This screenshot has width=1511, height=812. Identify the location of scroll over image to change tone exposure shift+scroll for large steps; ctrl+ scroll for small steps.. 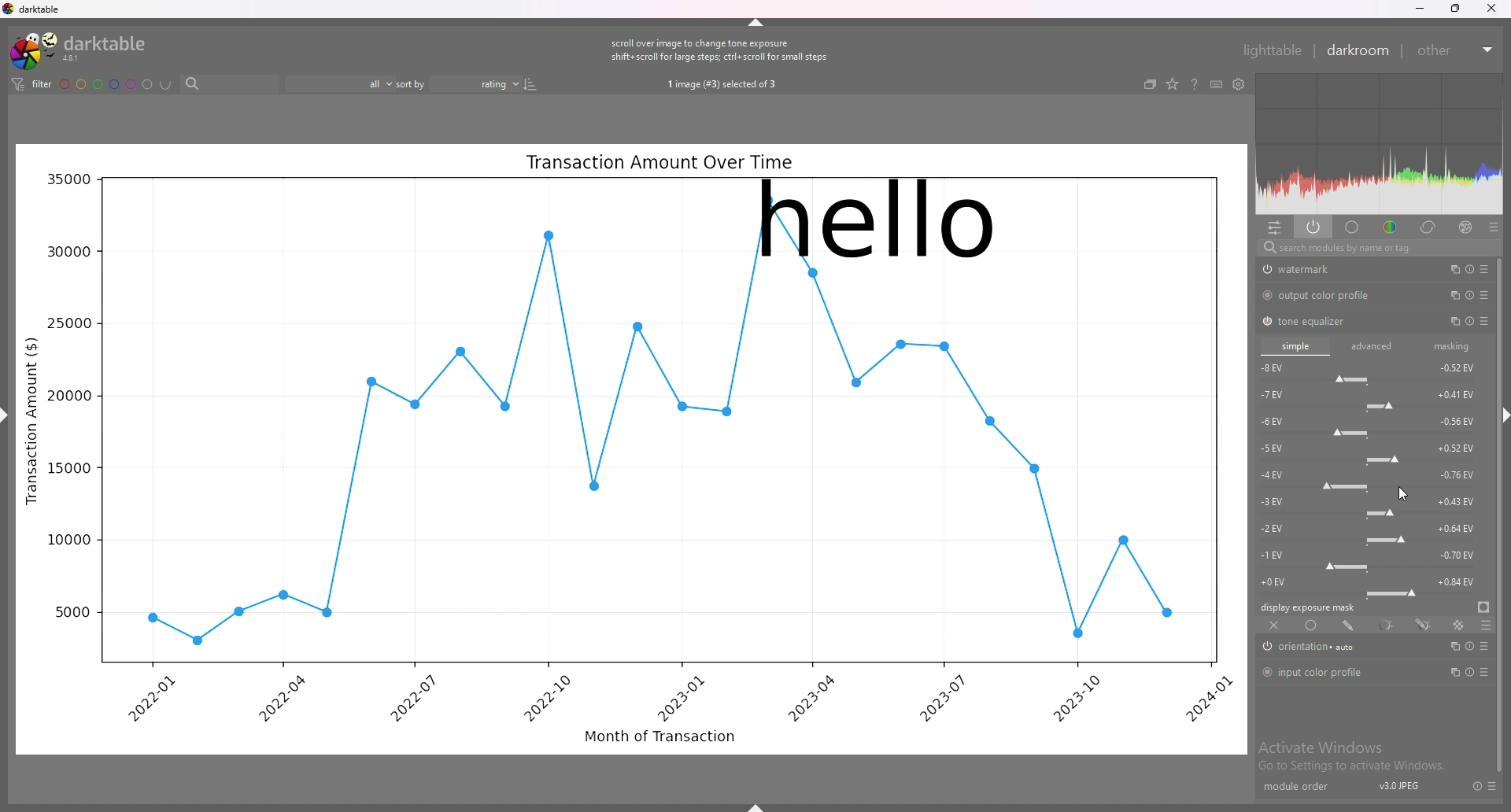
(721, 50).